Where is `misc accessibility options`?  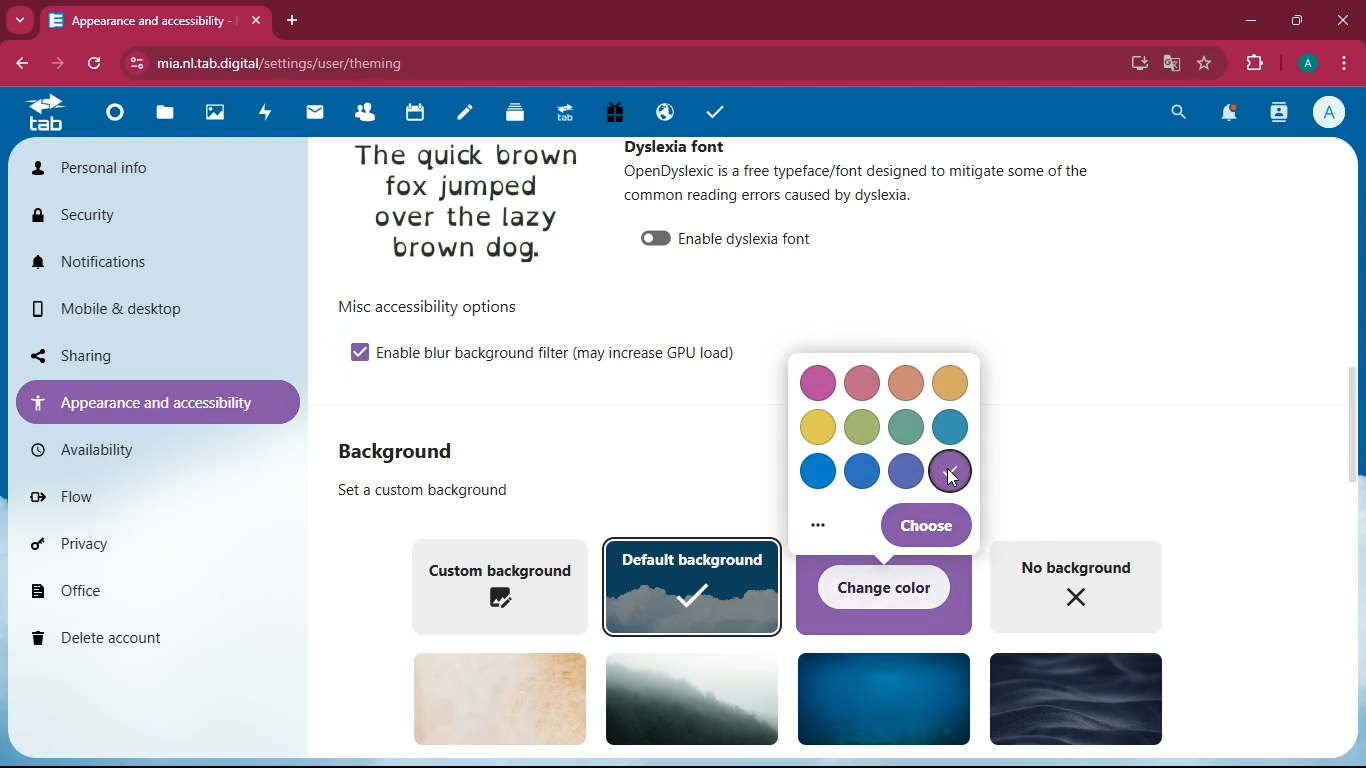
misc accessibility options is located at coordinates (442, 306).